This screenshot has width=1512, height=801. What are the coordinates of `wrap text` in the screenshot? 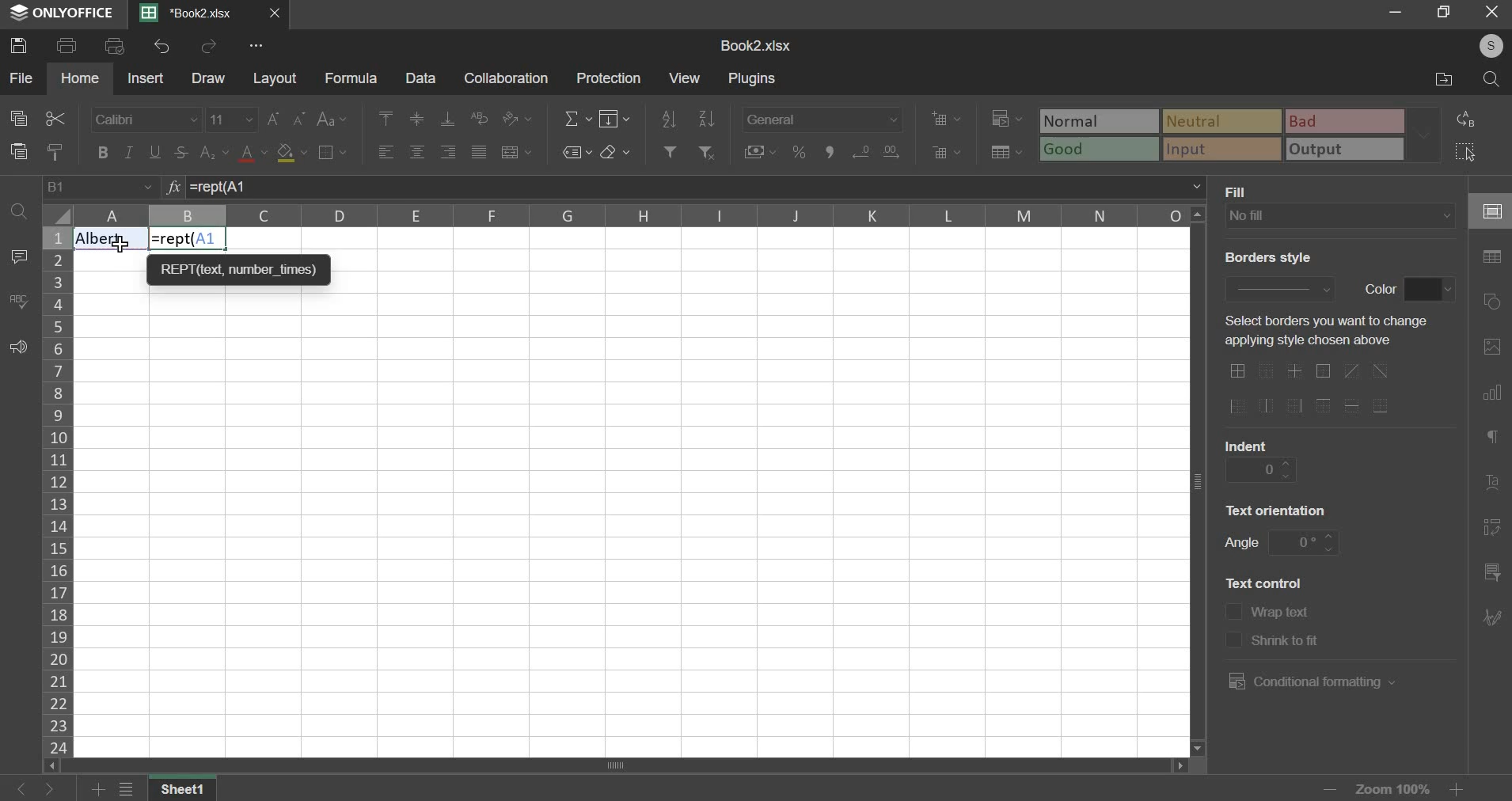 It's located at (478, 118).